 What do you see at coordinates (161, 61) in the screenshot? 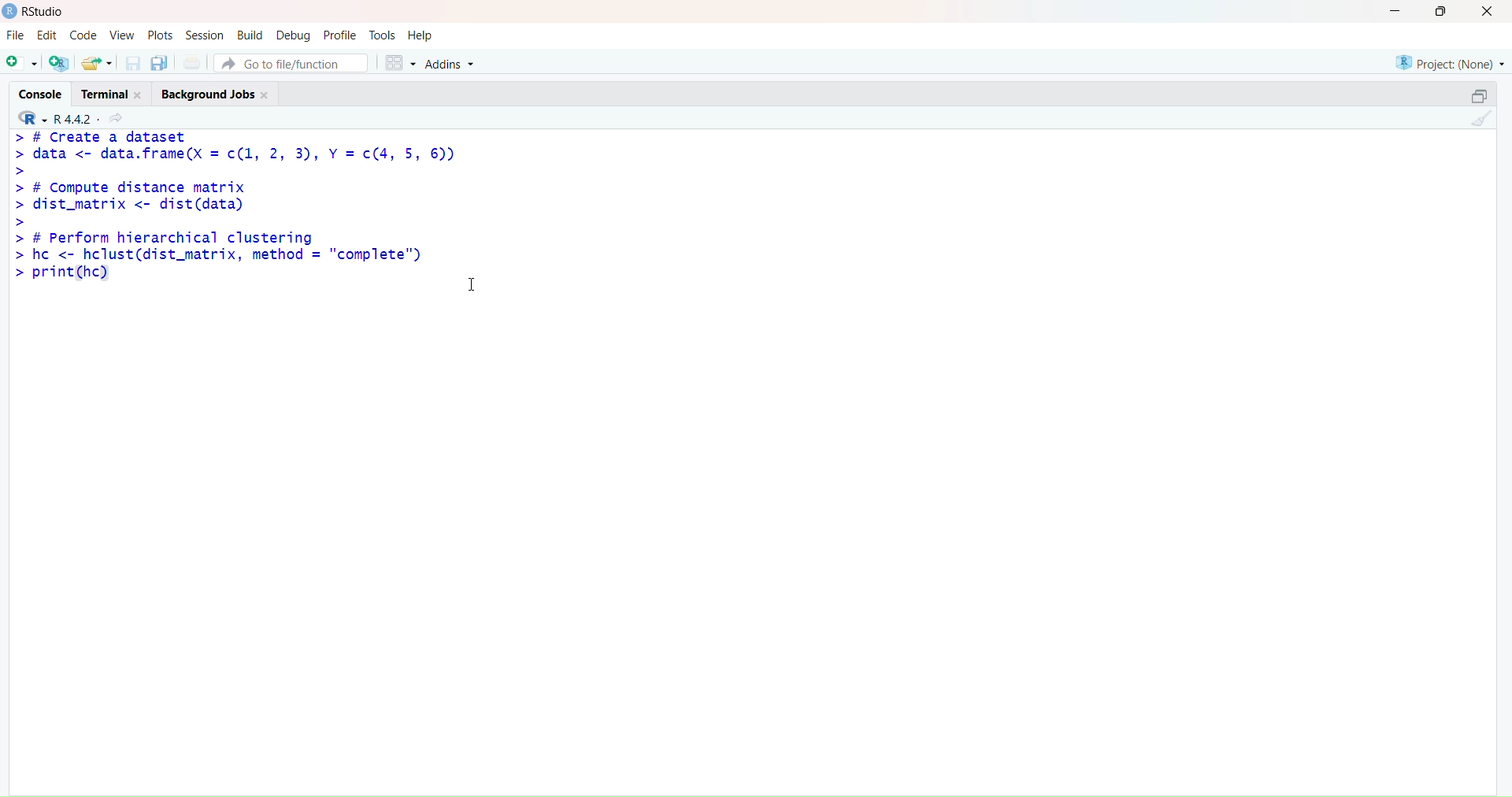
I see `Save all open documents (Ctrl + Alt + S)` at bounding box center [161, 61].